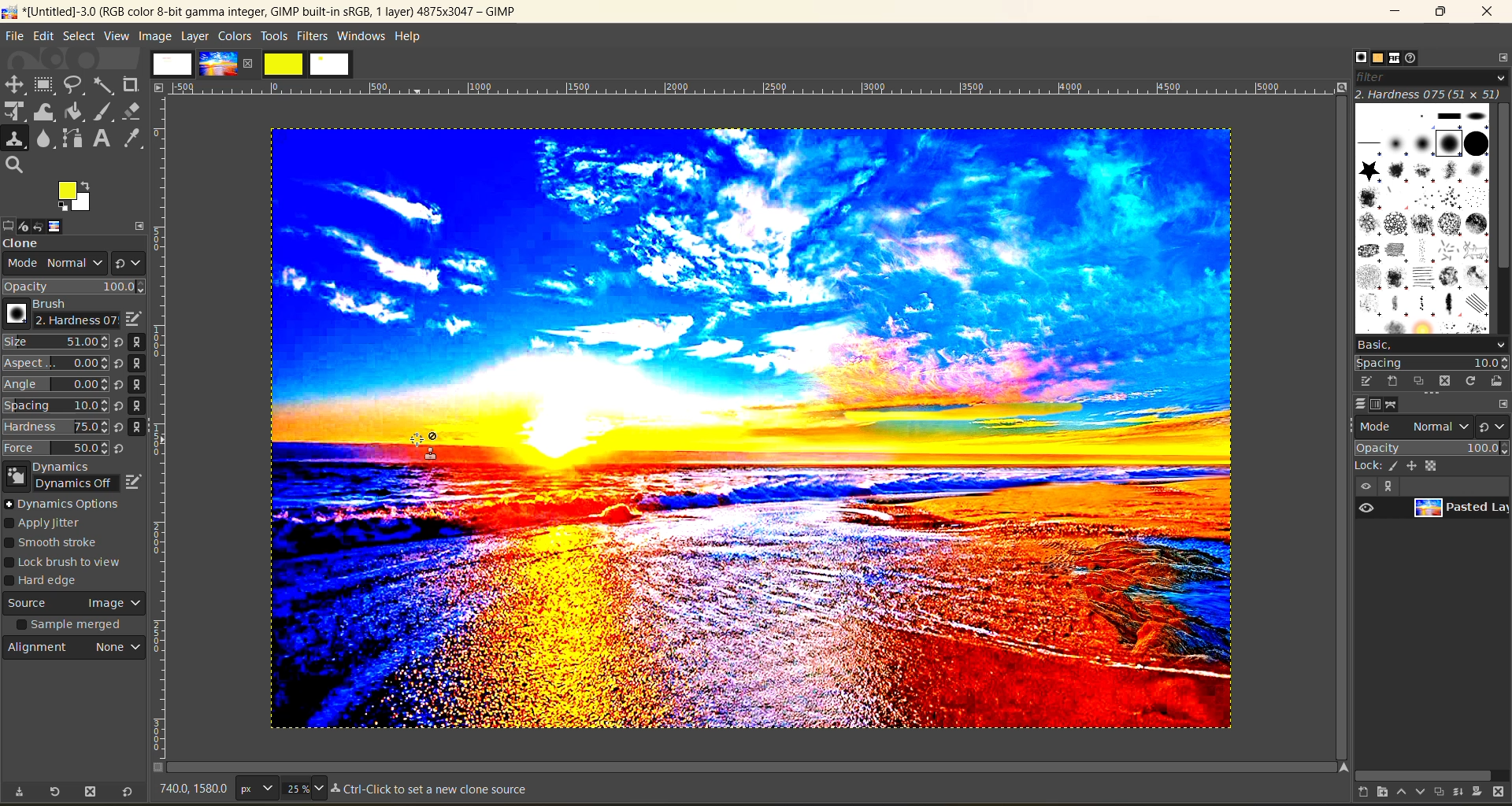 The height and width of the screenshot is (806, 1512). What do you see at coordinates (117, 36) in the screenshot?
I see `view` at bounding box center [117, 36].